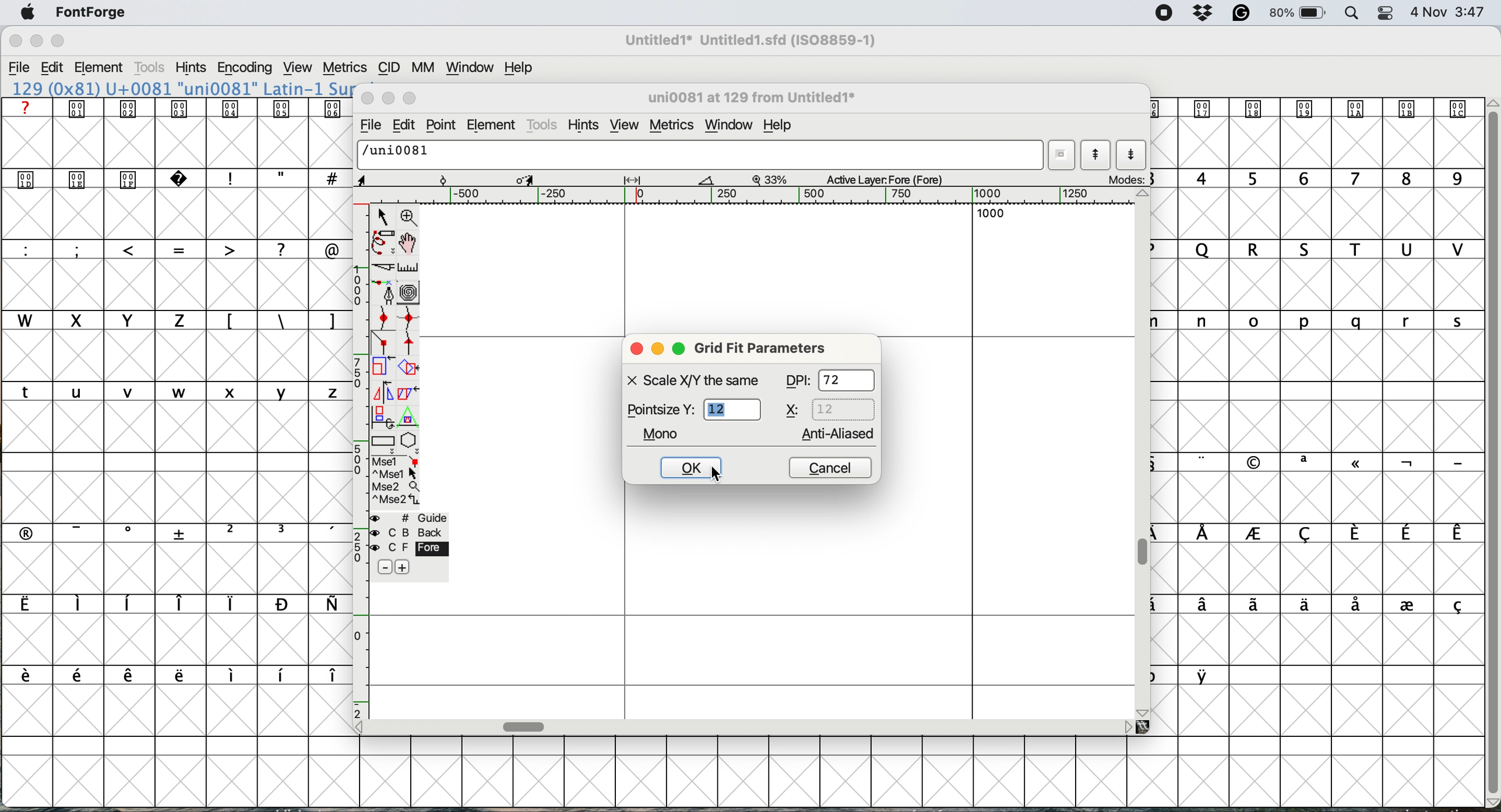 Image resolution: width=1501 pixels, height=812 pixels. What do you see at coordinates (1297, 14) in the screenshot?
I see `Battery Percentage and Status` at bounding box center [1297, 14].